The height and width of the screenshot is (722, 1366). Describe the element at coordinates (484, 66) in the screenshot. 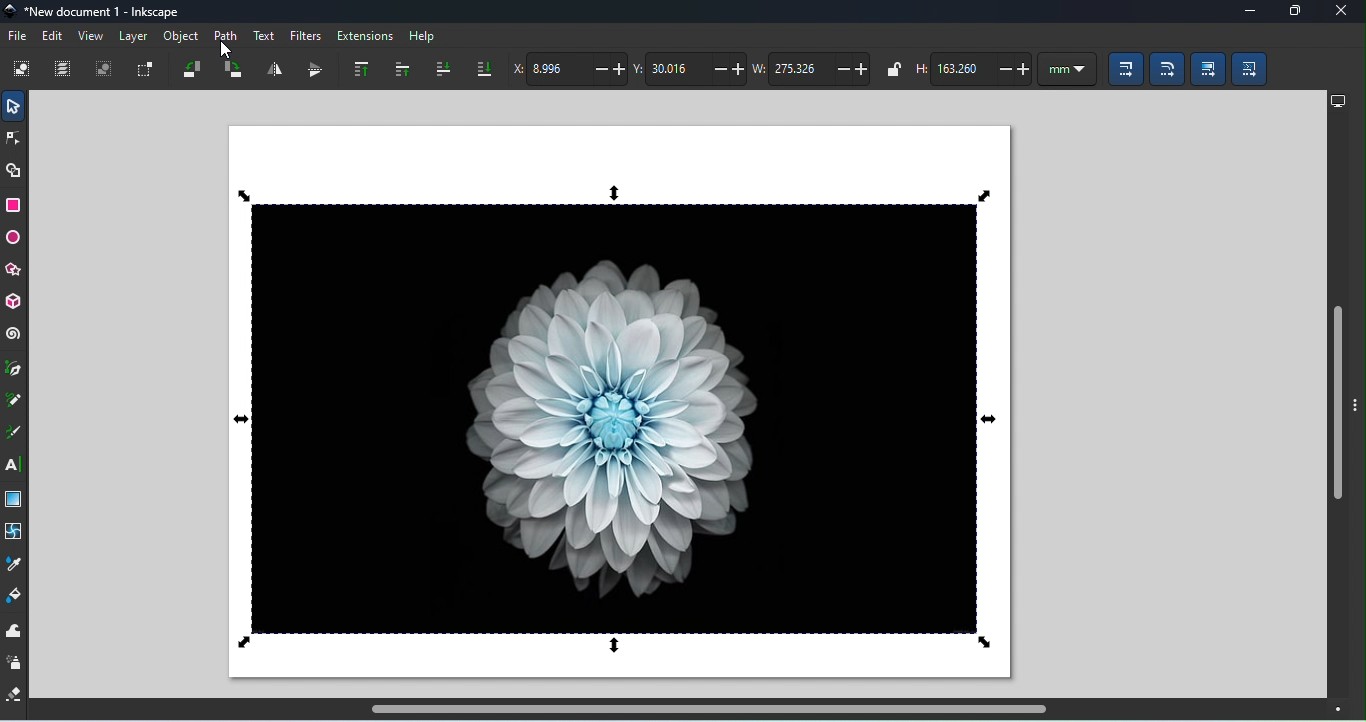

I see `Lower selection to bottom` at that location.